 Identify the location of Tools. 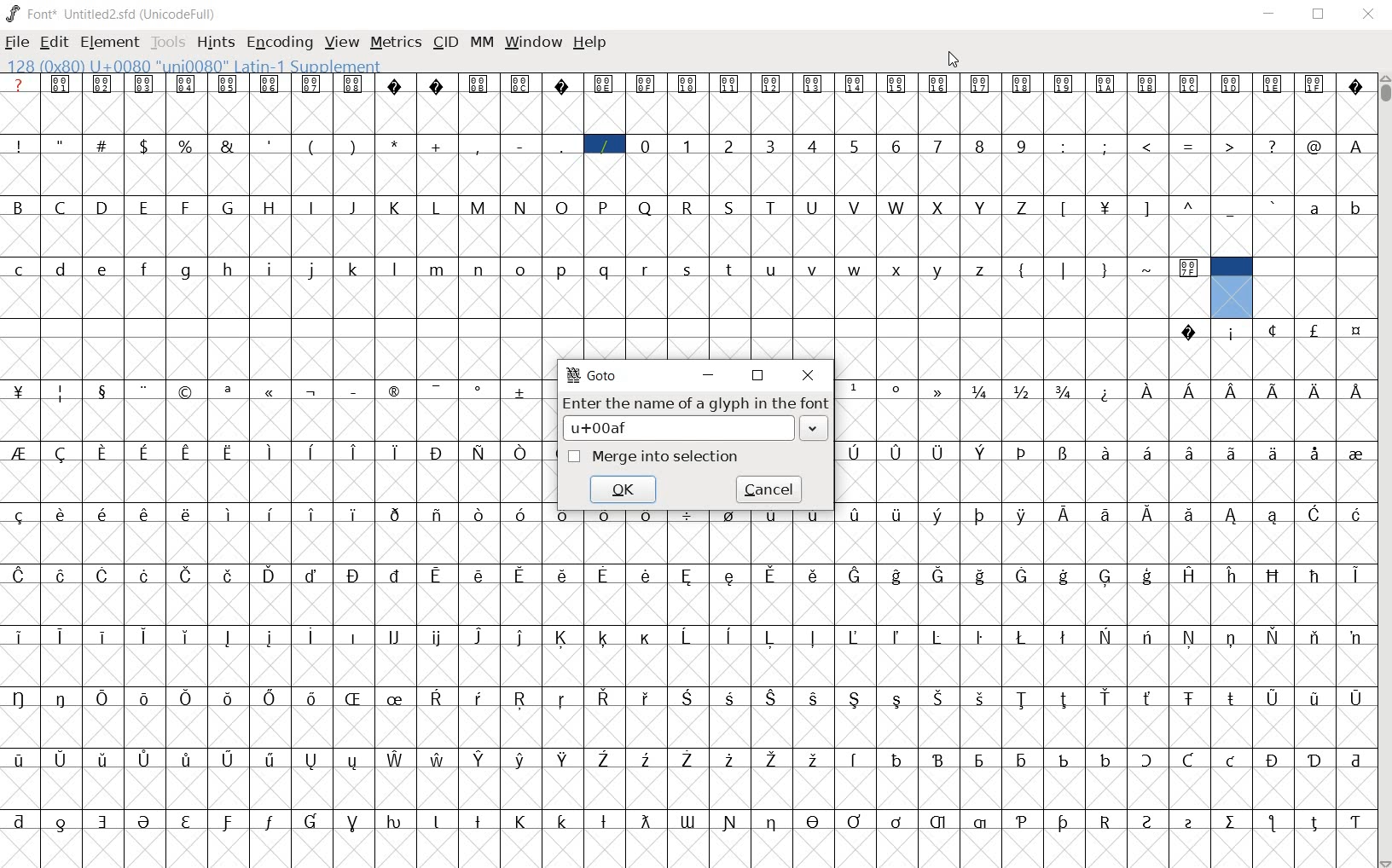
(168, 42).